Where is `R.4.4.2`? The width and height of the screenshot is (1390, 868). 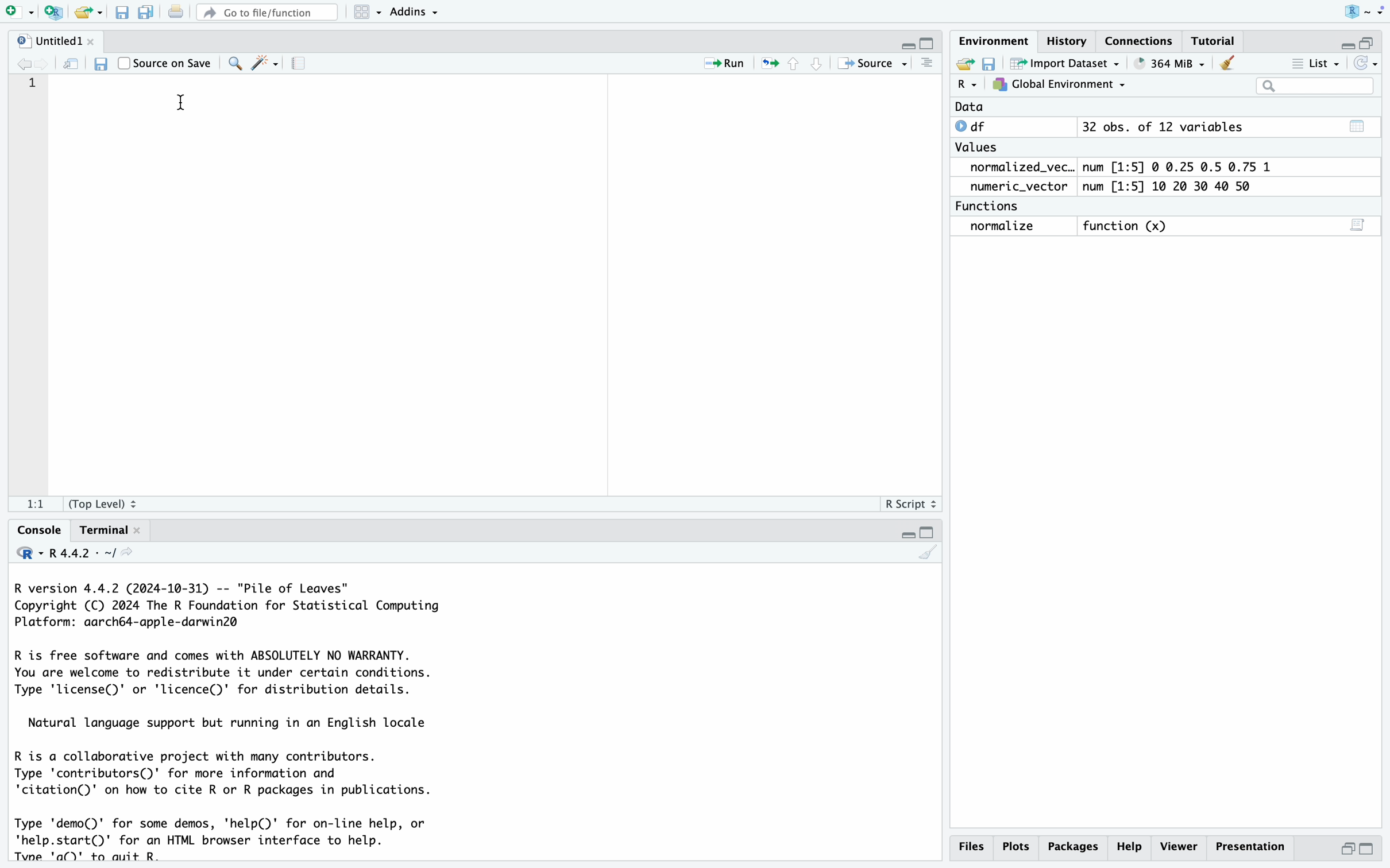 R.4.4.2 is located at coordinates (75, 553).